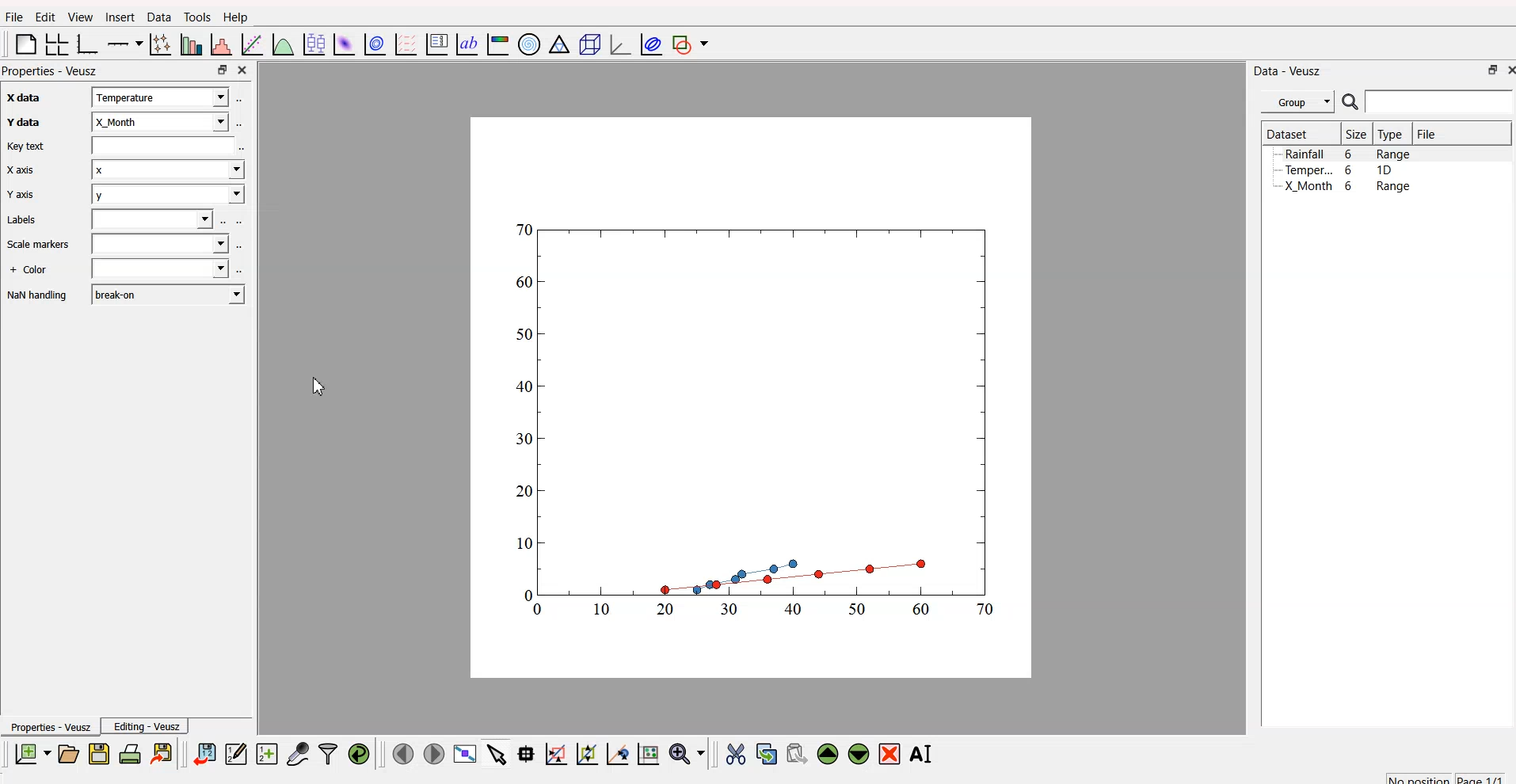 The image size is (1516, 784). Describe the element at coordinates (827, 754) in the screenshot. I see `move up the widget` at that location.